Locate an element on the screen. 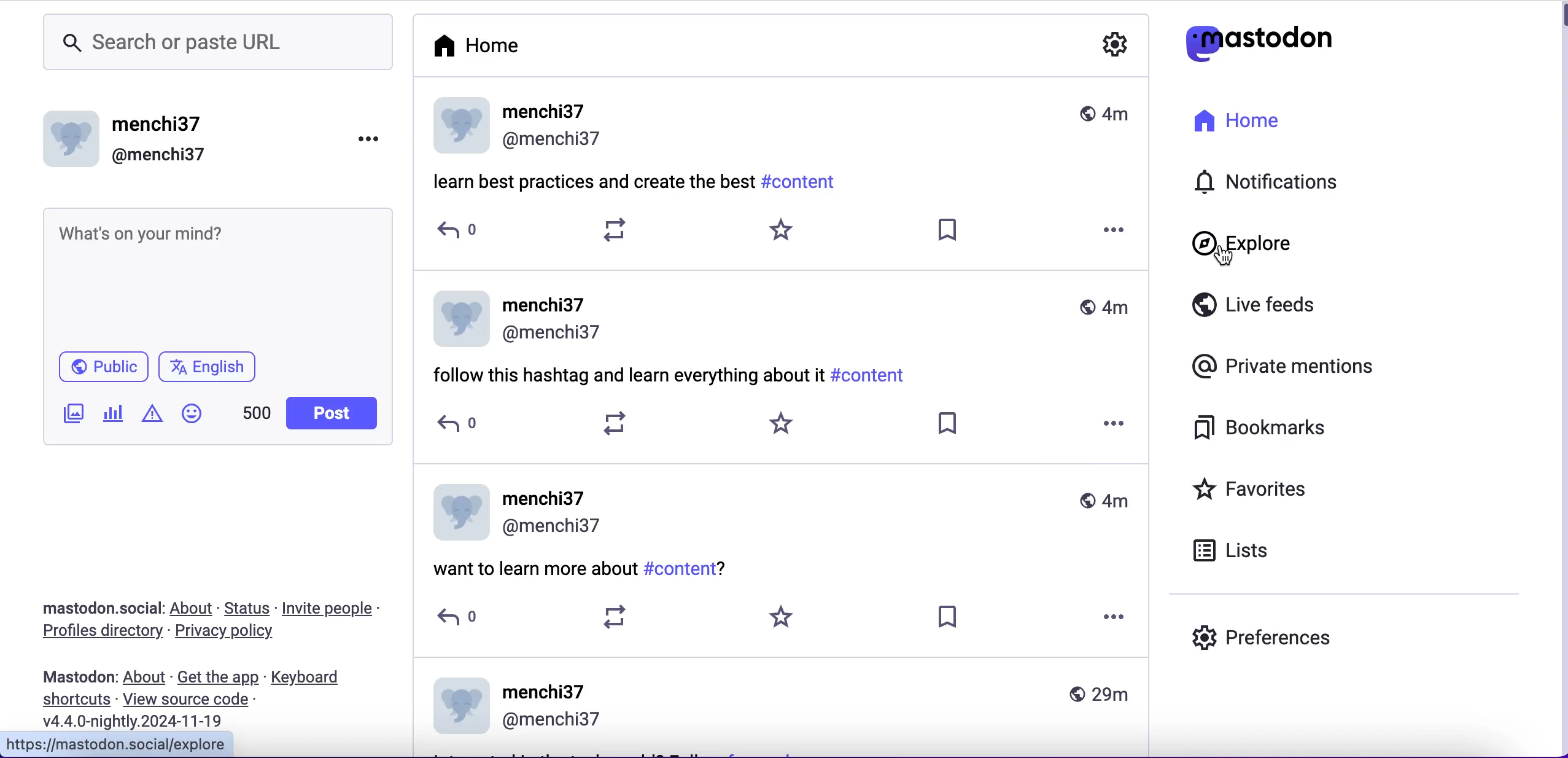 This screenshot has height=758, width=1568. reply is located at coordinates (459, 232).